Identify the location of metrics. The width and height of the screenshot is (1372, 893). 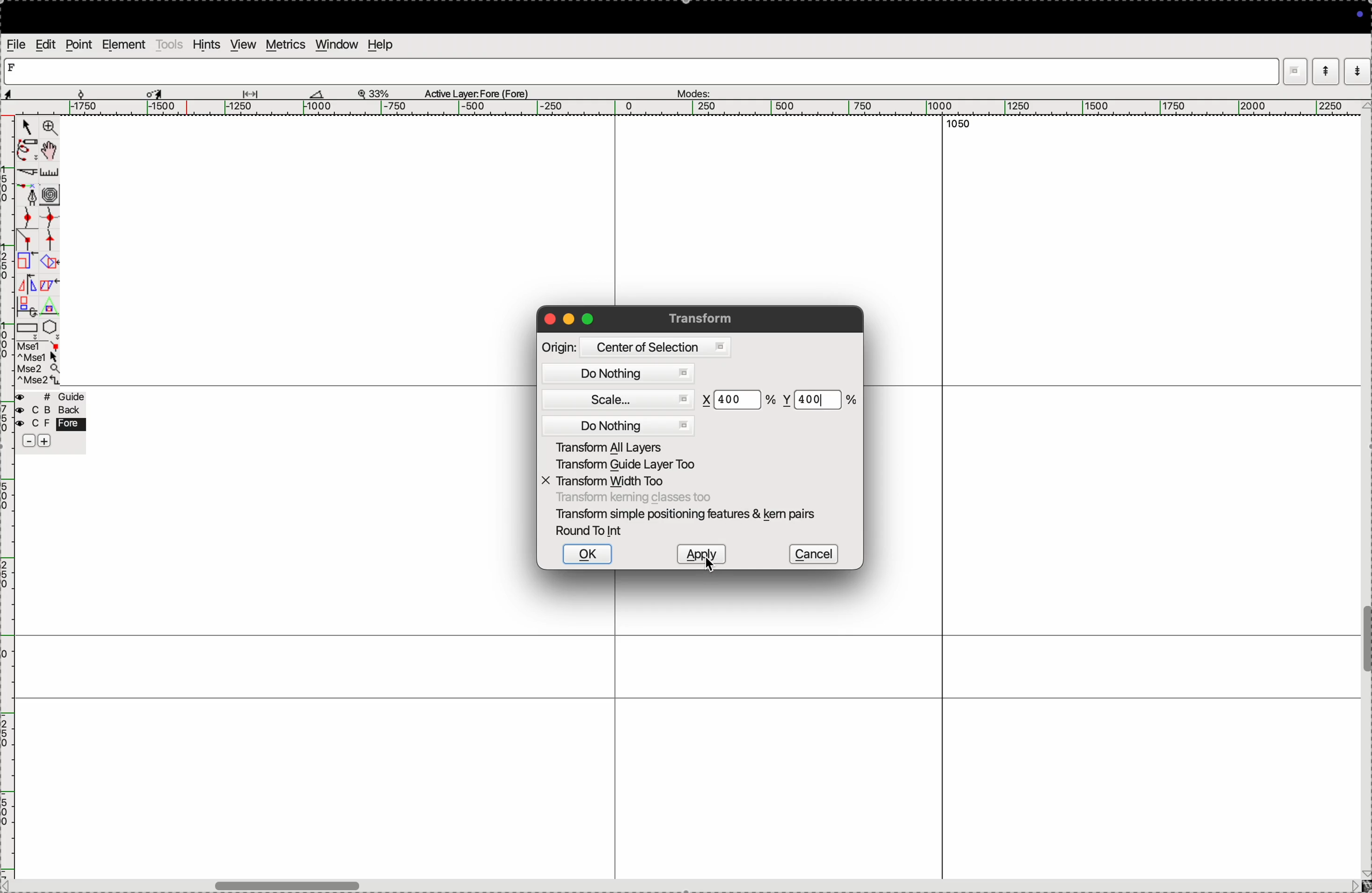
(287, 44).